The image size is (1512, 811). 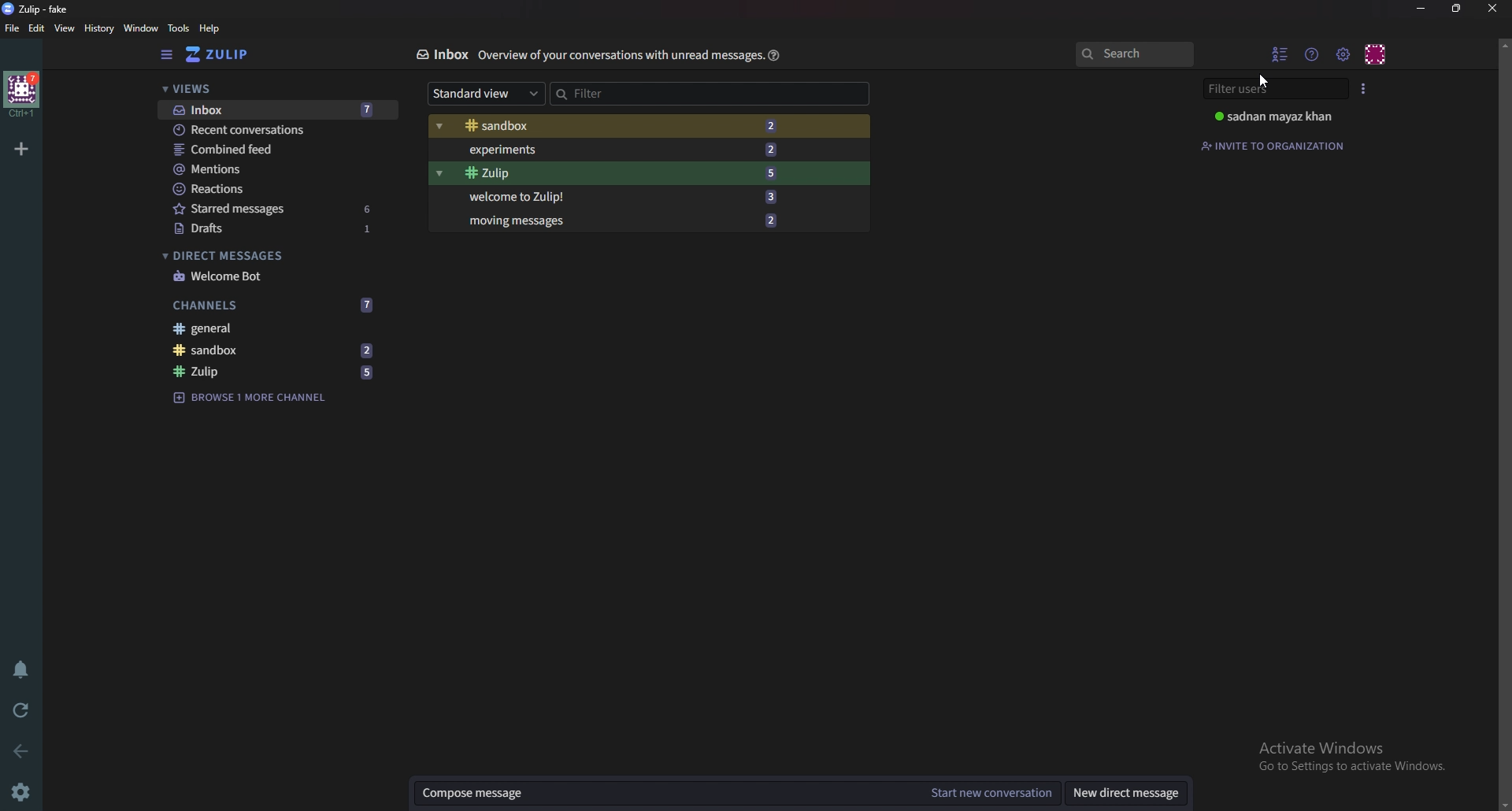 I want to click on User, so click(x=1280, y=117).